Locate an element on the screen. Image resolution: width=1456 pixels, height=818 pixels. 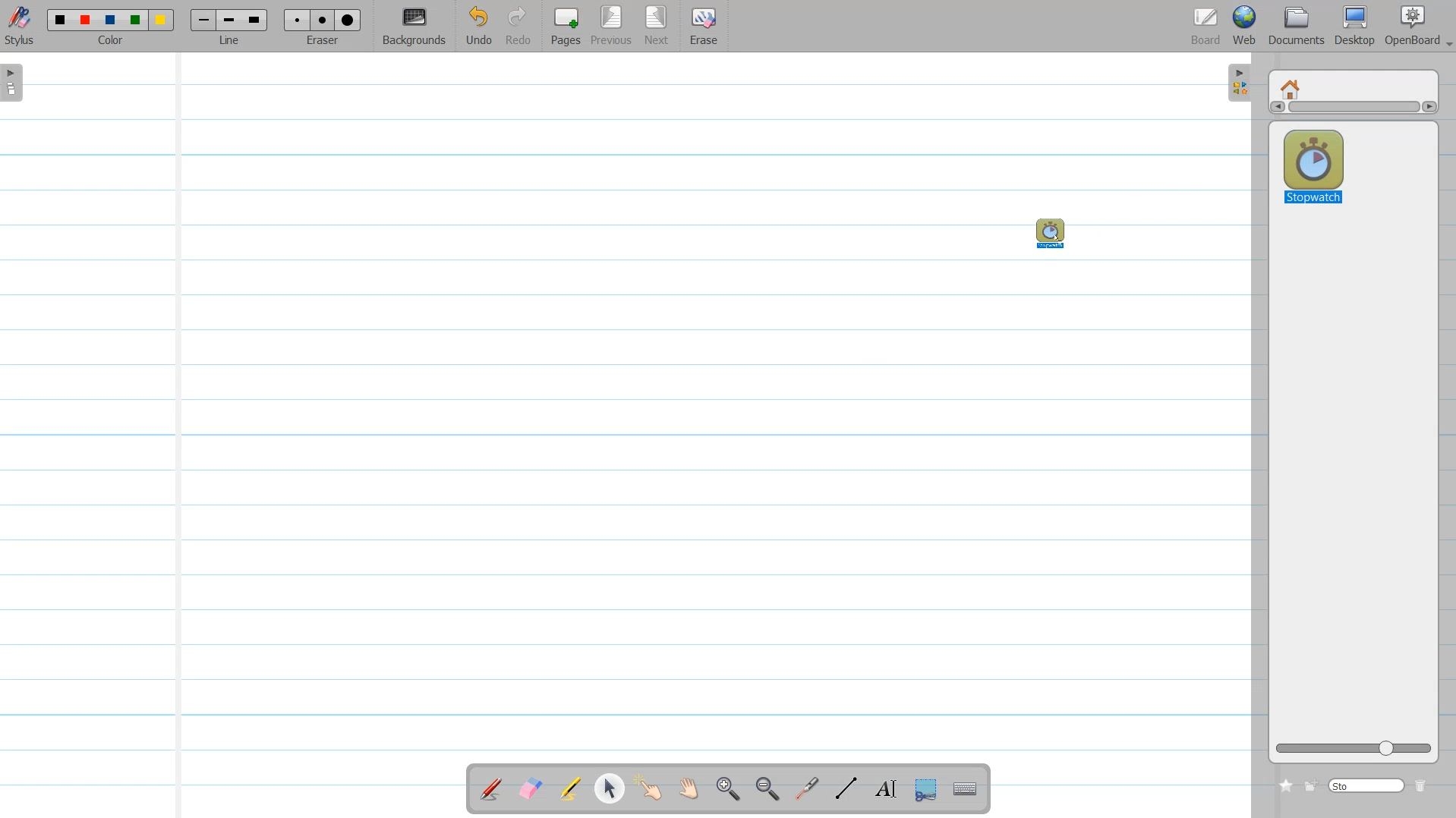
Scroll Page is located at coordinates (691, 790).